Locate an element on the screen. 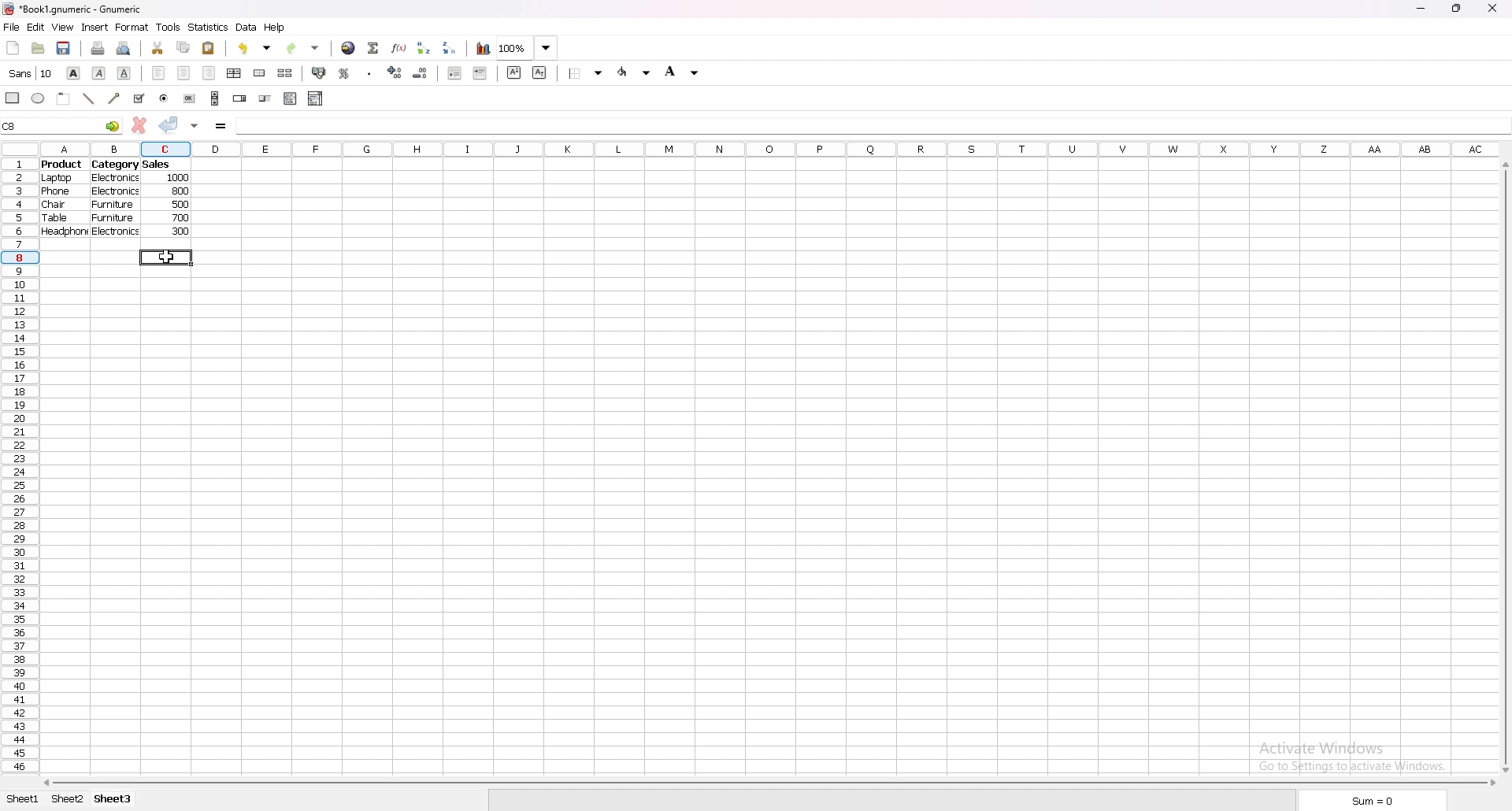 The width and height of the screenshot is (1512, 811). sheet 1 is located at coordinates (22, 800).